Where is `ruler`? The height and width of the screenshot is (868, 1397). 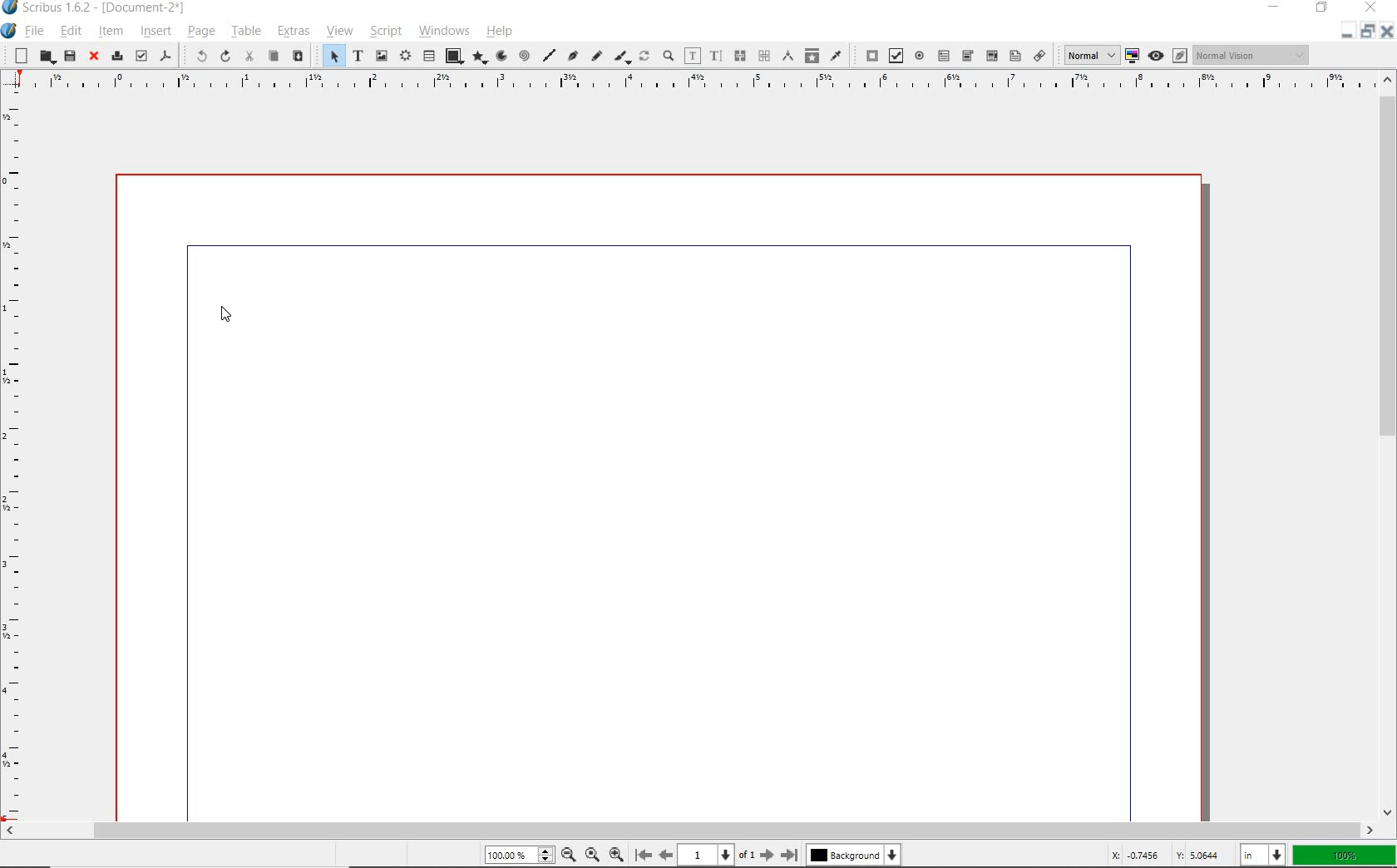
ruler is located at coordinates (12, 456).